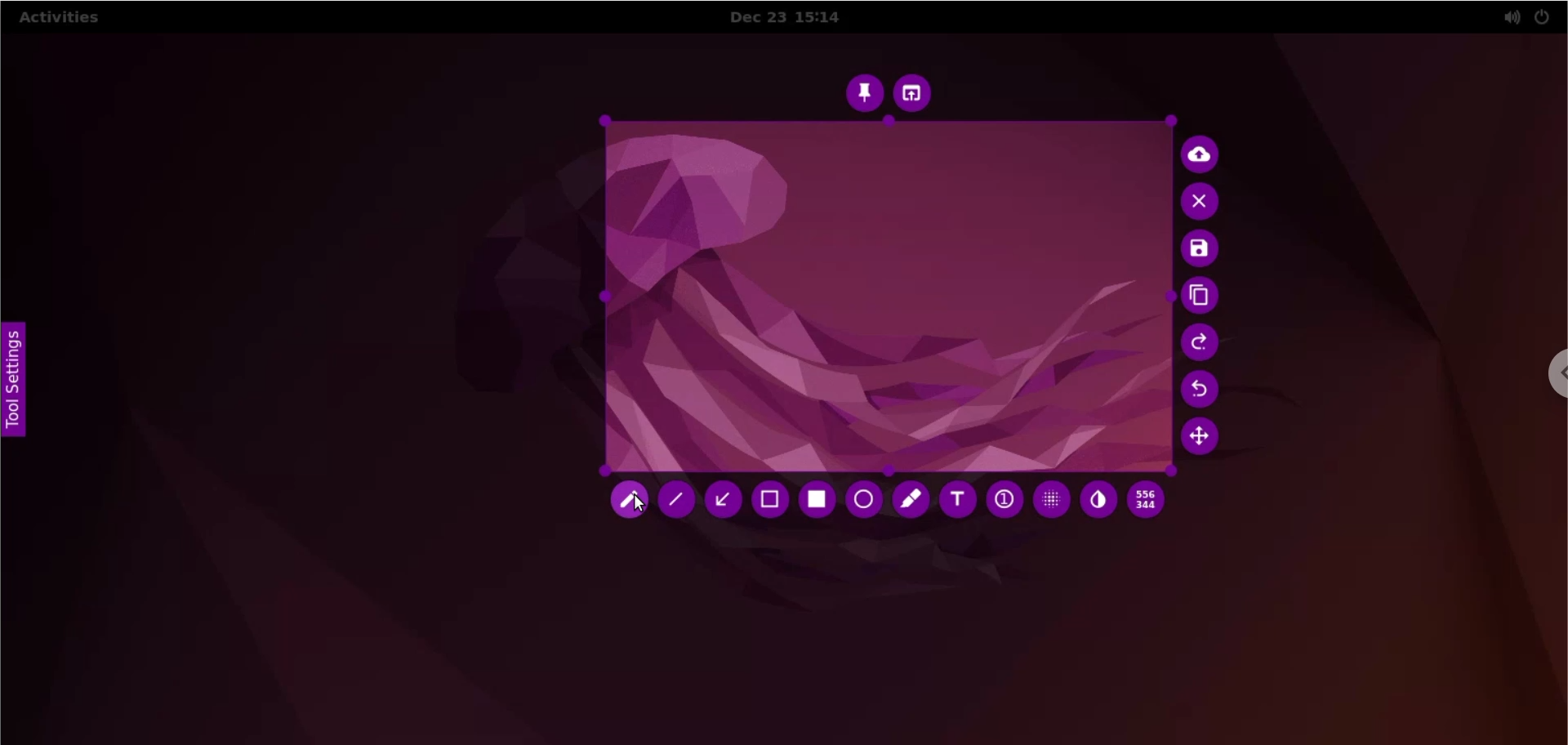  Describe the element at coordinates (1205, 250) in the screenshot. I see `save` at that location.